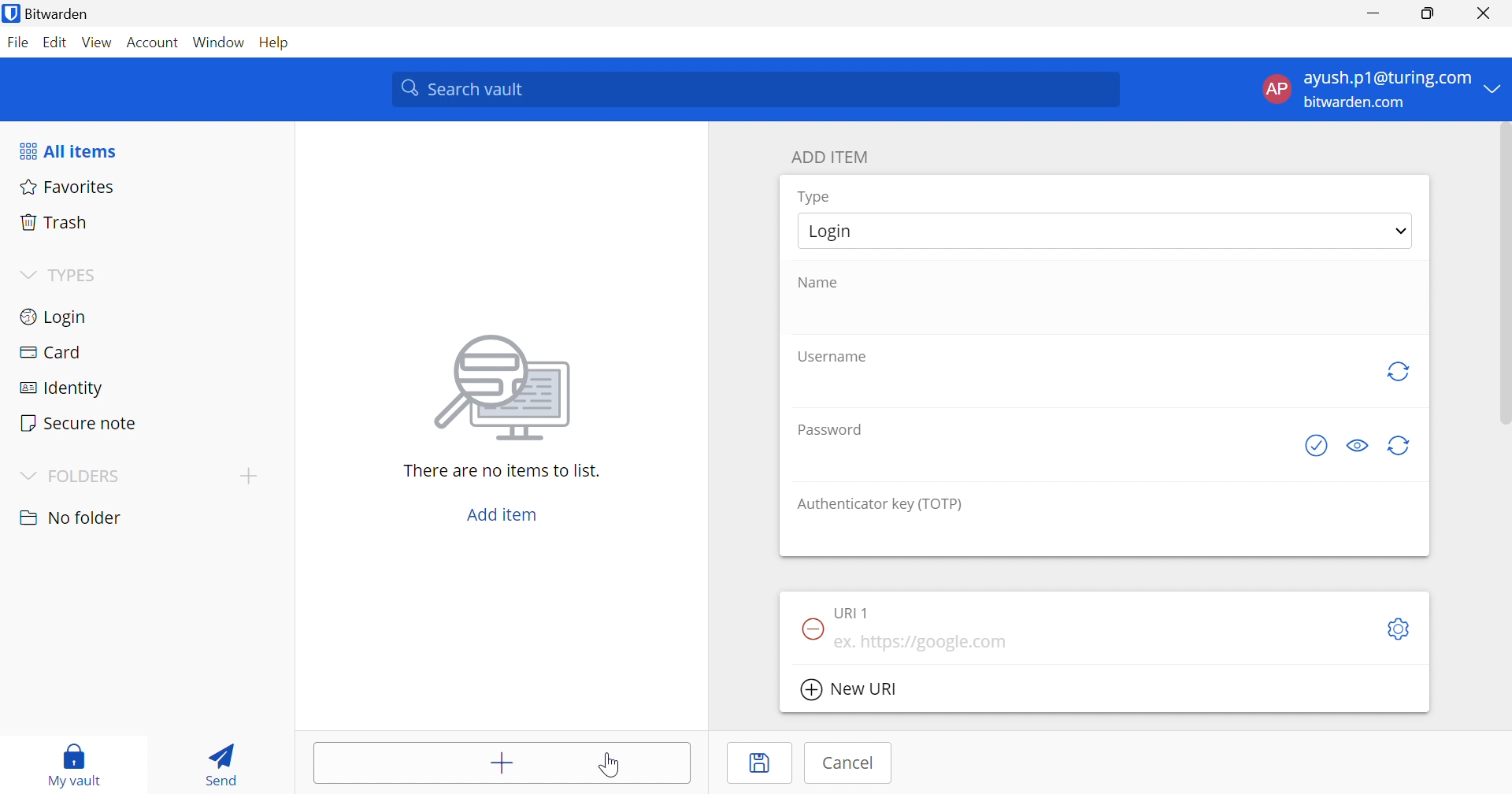 The height and width of the screenshot is (794, 1512). Describe the element at coordinates (218, 43) in the screenshot. I see `Window` at that location.